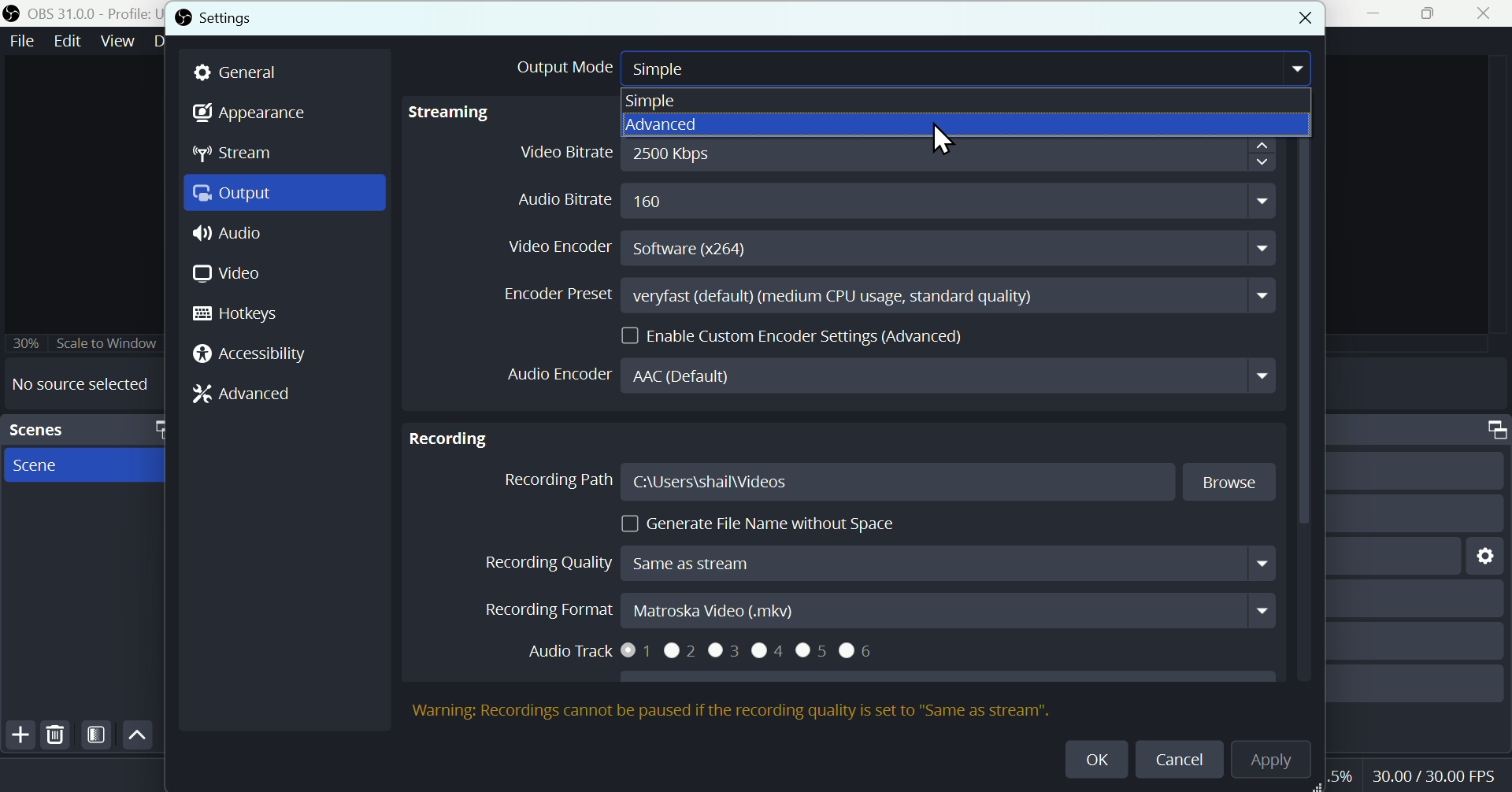 The height and width of the screenshot is (792, 1512). What do you see at coordinates (82, 429) in the screenshot?
I see `scenes` at bounding box center [82, 429].